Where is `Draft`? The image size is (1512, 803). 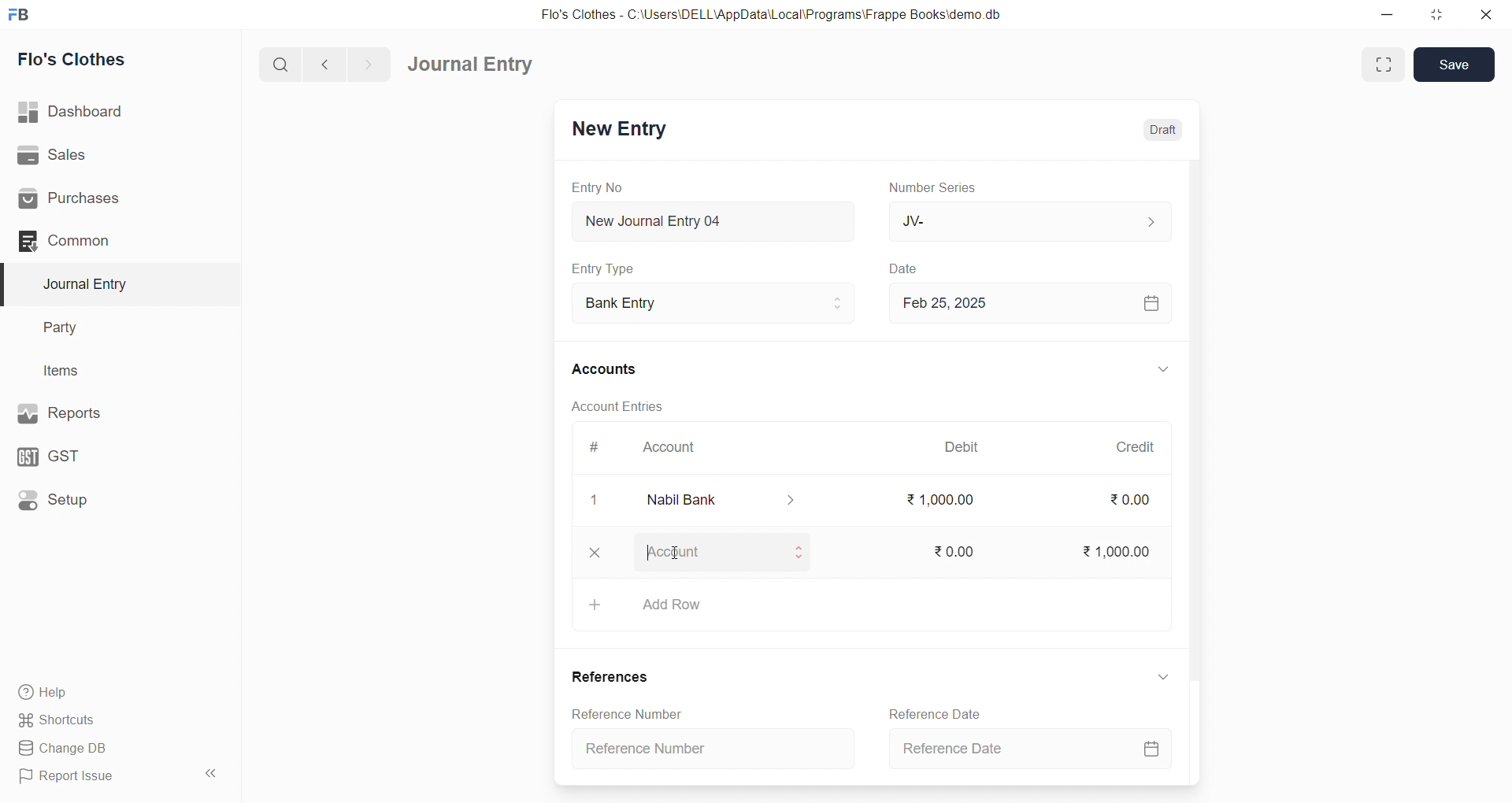 Draft is located at coordinates (1153, 130).